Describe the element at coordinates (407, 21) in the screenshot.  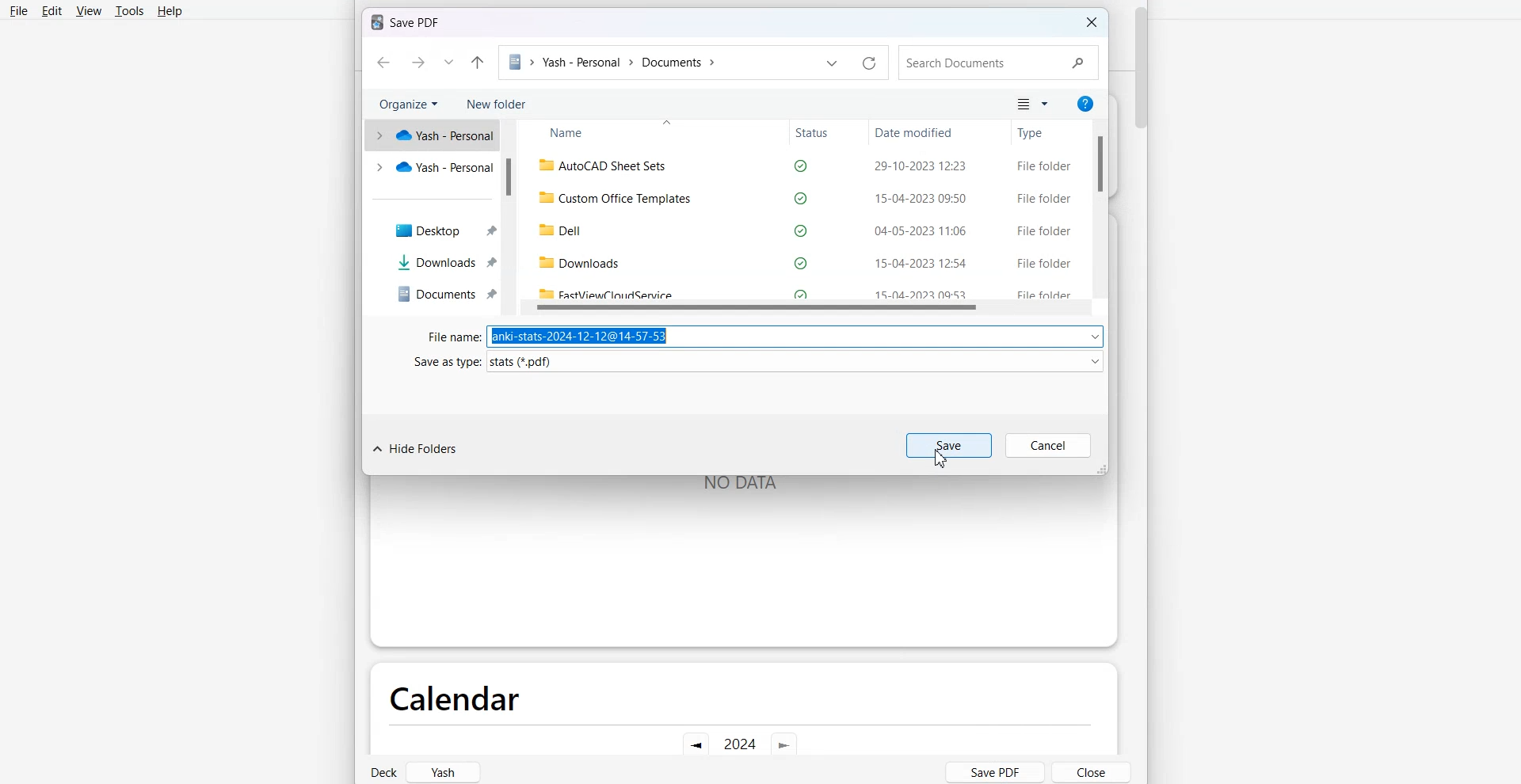
I see `Text ` at that location.